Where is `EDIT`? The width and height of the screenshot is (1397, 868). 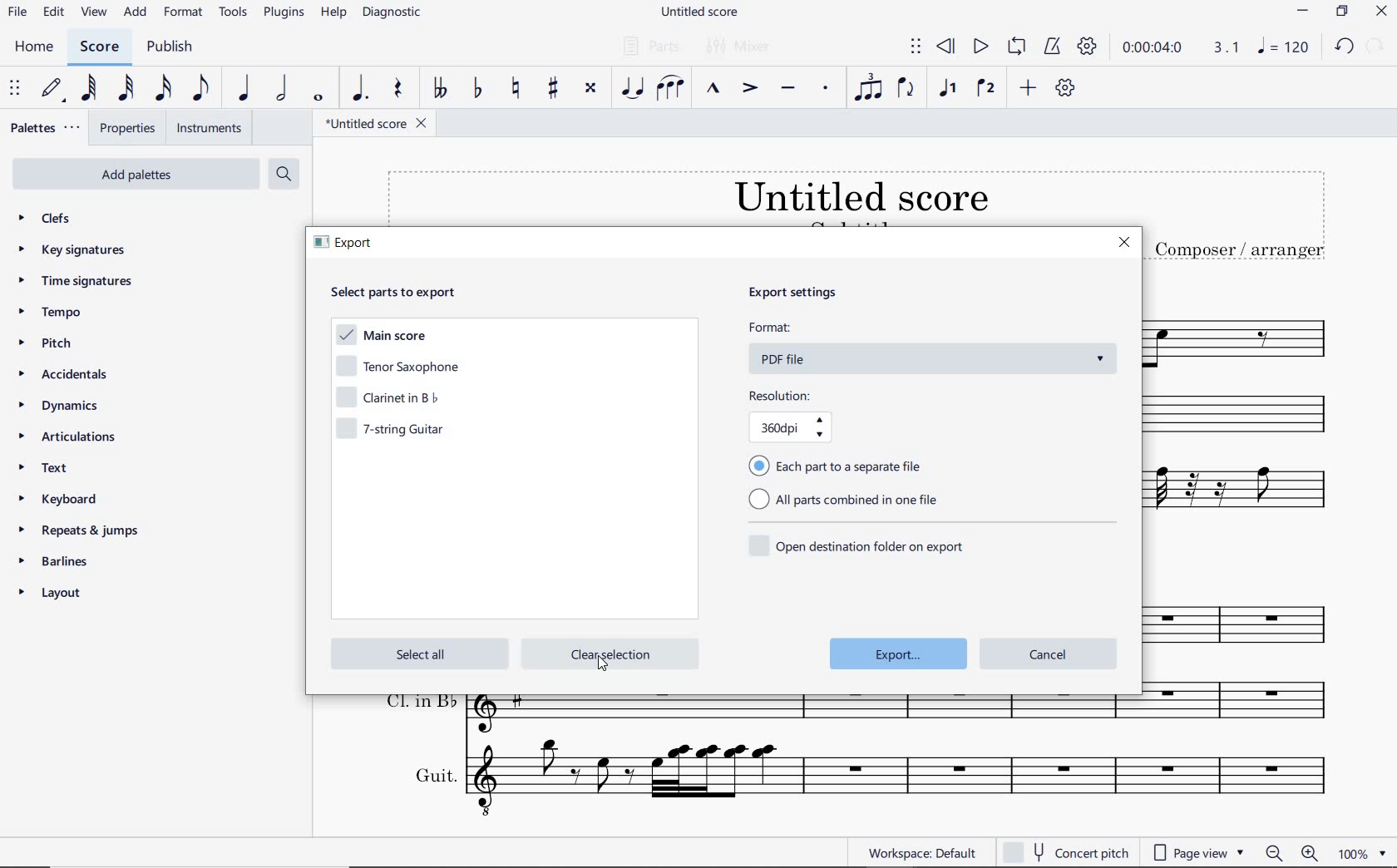 EDIT is located at coordinates (54, 12).